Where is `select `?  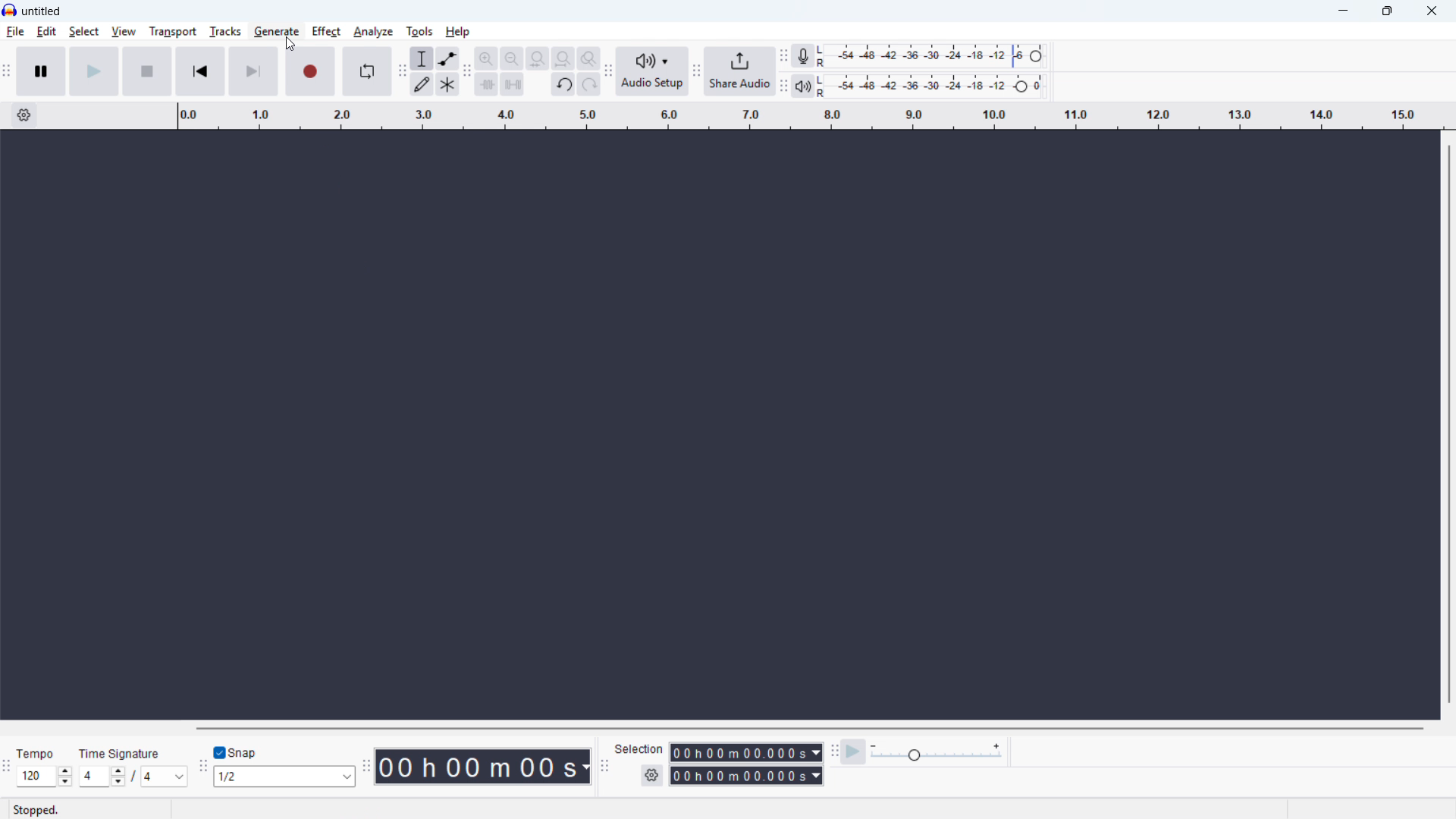
select  is located at coordinates (83, 31).